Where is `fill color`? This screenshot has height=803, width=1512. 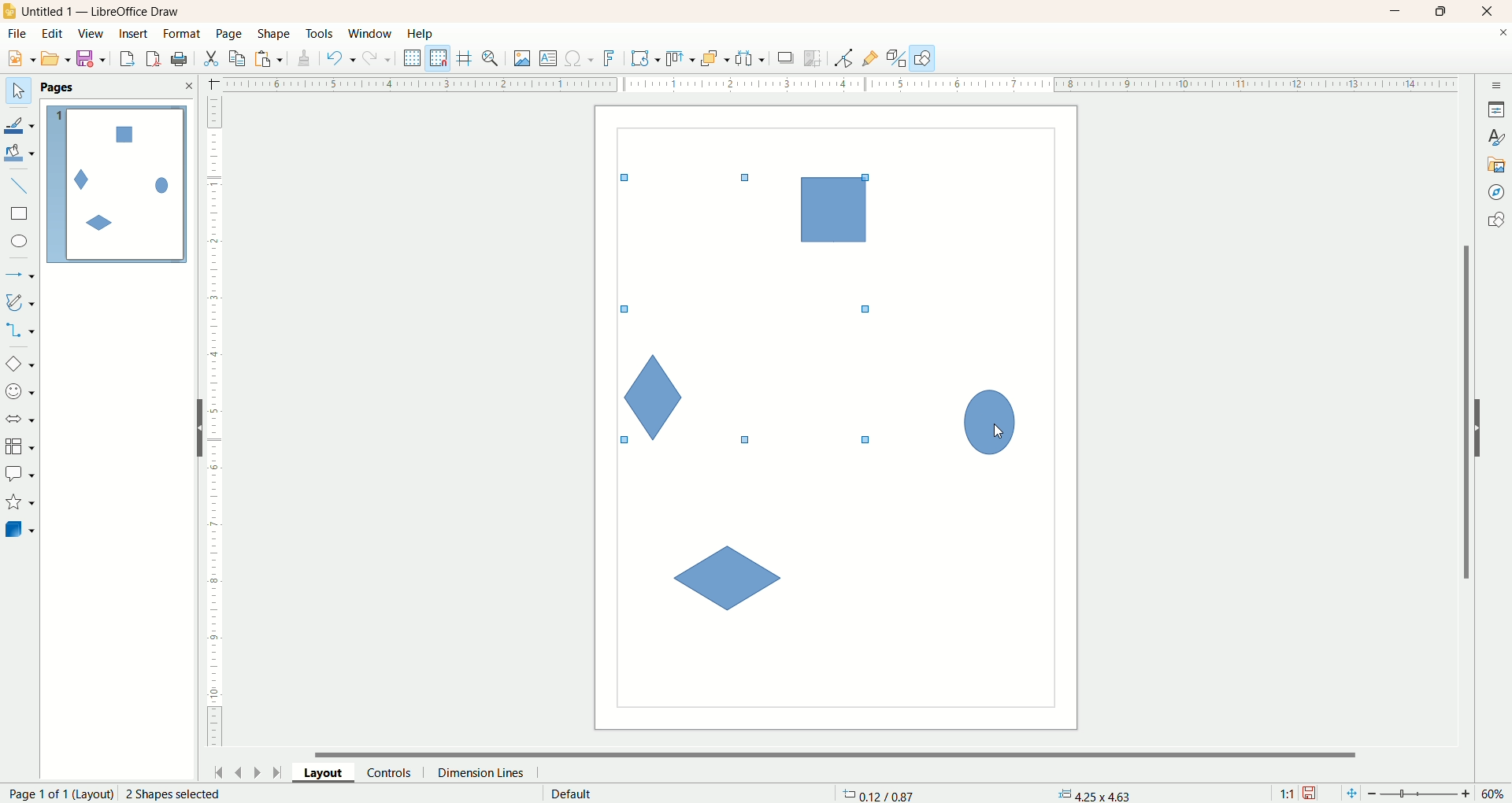 fill color is located at coordinates (21, 154).